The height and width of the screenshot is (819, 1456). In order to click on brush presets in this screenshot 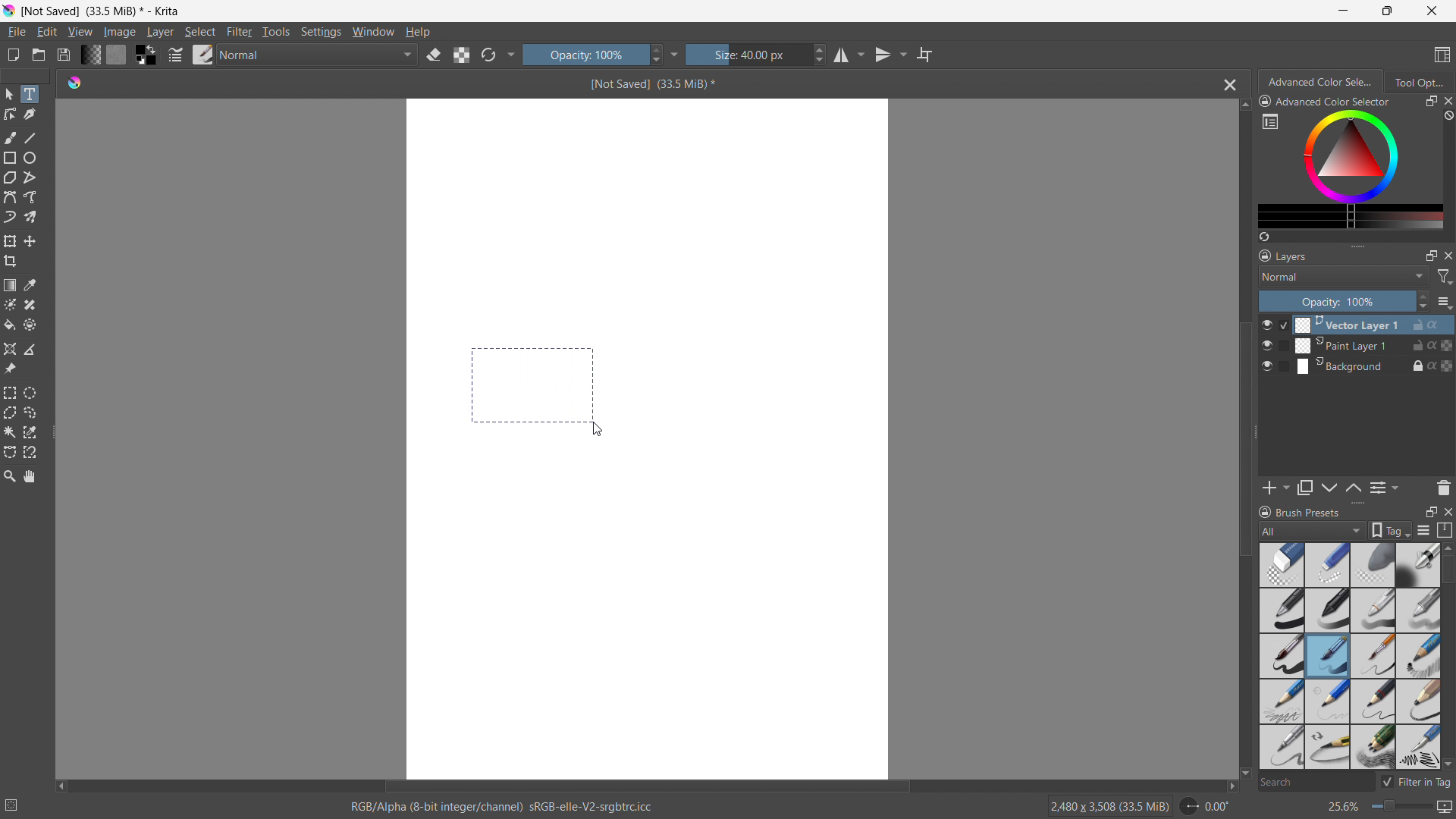, I will do `click(203, 54)`.